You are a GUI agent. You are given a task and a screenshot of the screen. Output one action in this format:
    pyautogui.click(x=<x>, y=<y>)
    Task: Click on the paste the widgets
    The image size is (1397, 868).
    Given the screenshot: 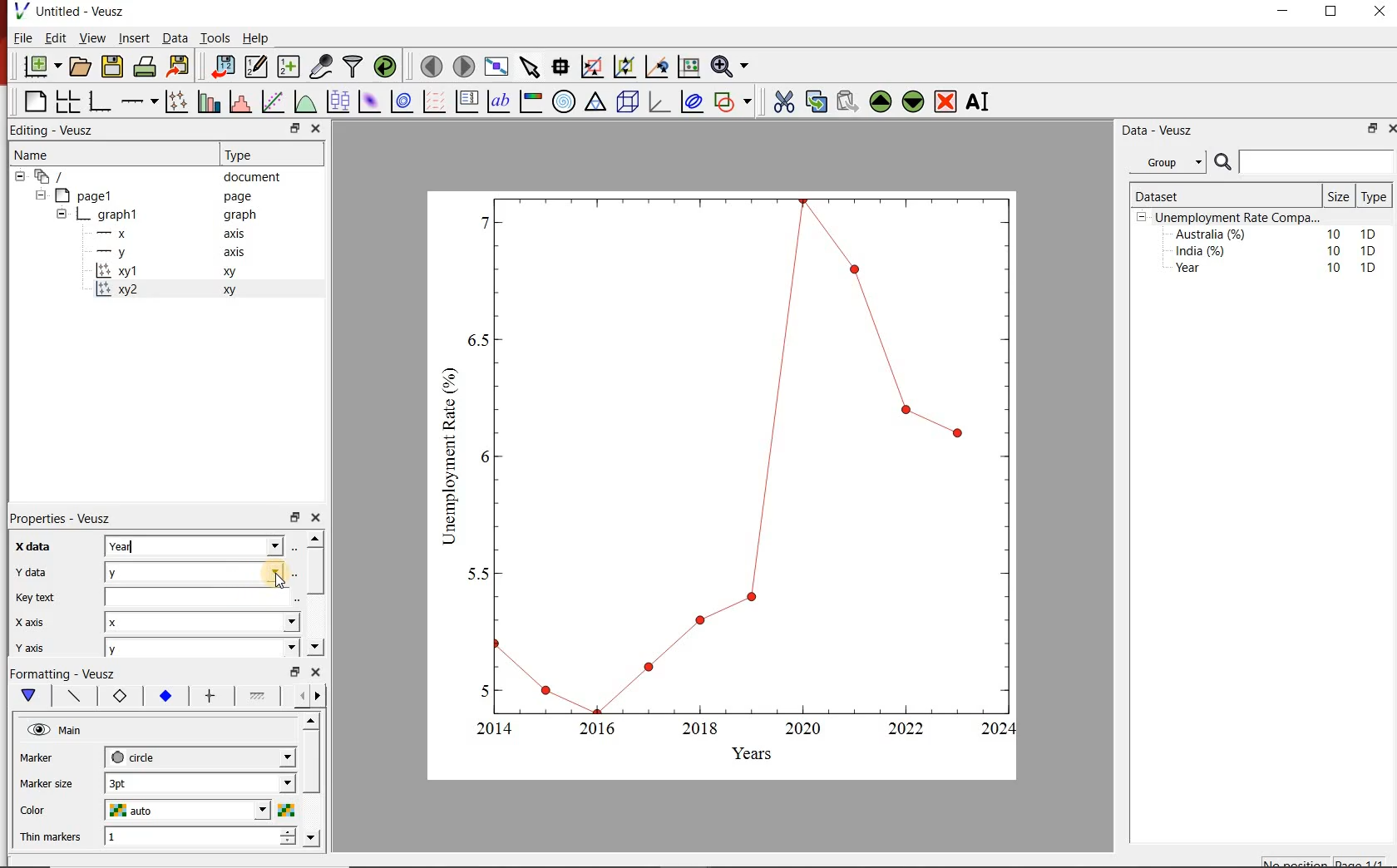 What is the action you would take?
    pyautogui.click(x=848, y=101)
    